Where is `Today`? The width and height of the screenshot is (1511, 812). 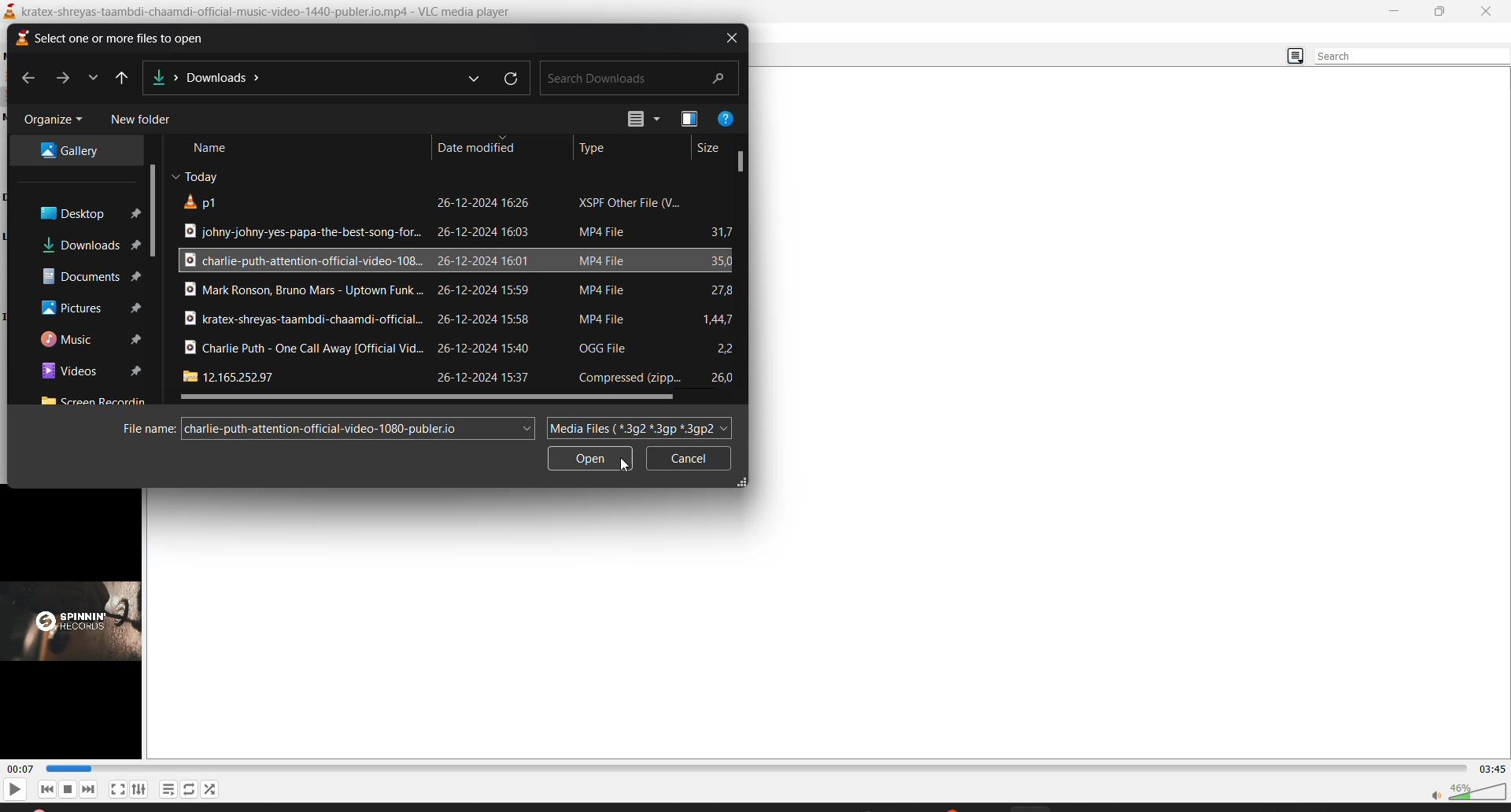
Today is located at coordinates (217, 178).